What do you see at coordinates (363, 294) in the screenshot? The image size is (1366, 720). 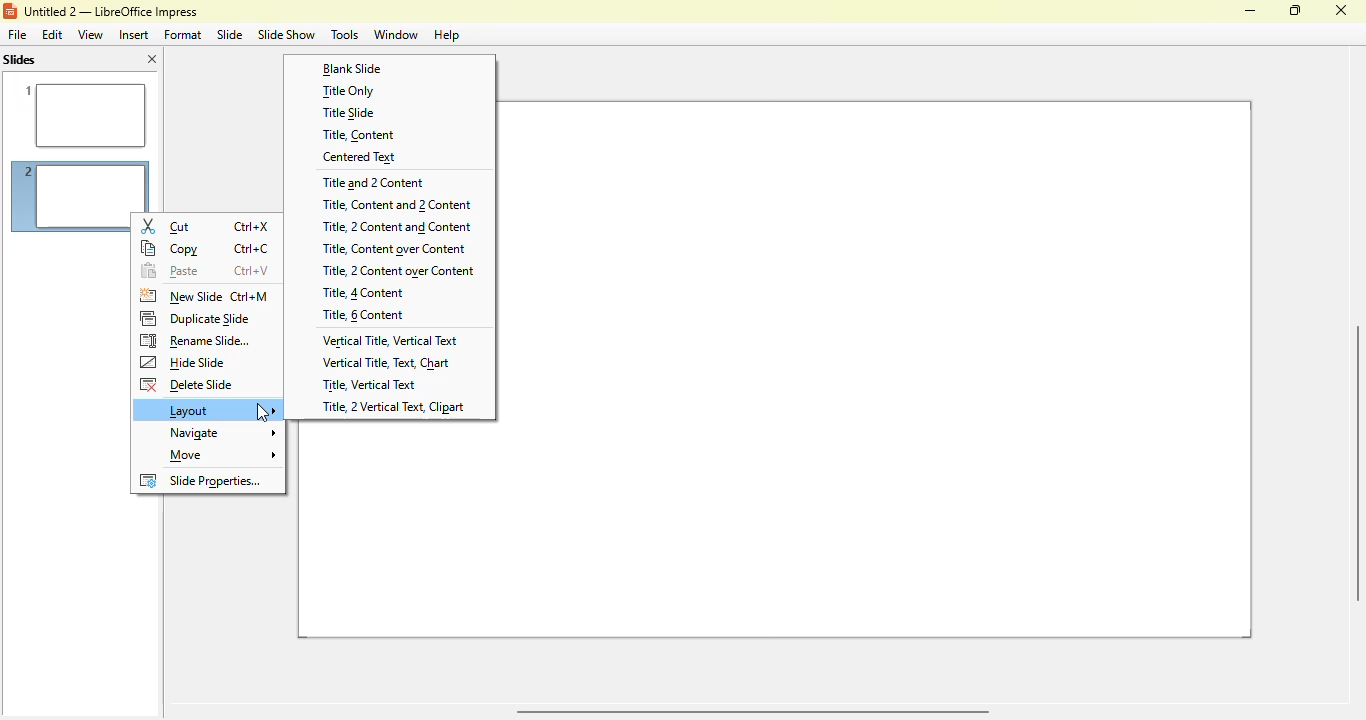 I see `title, 4 content` at bounding box center [363, 294].